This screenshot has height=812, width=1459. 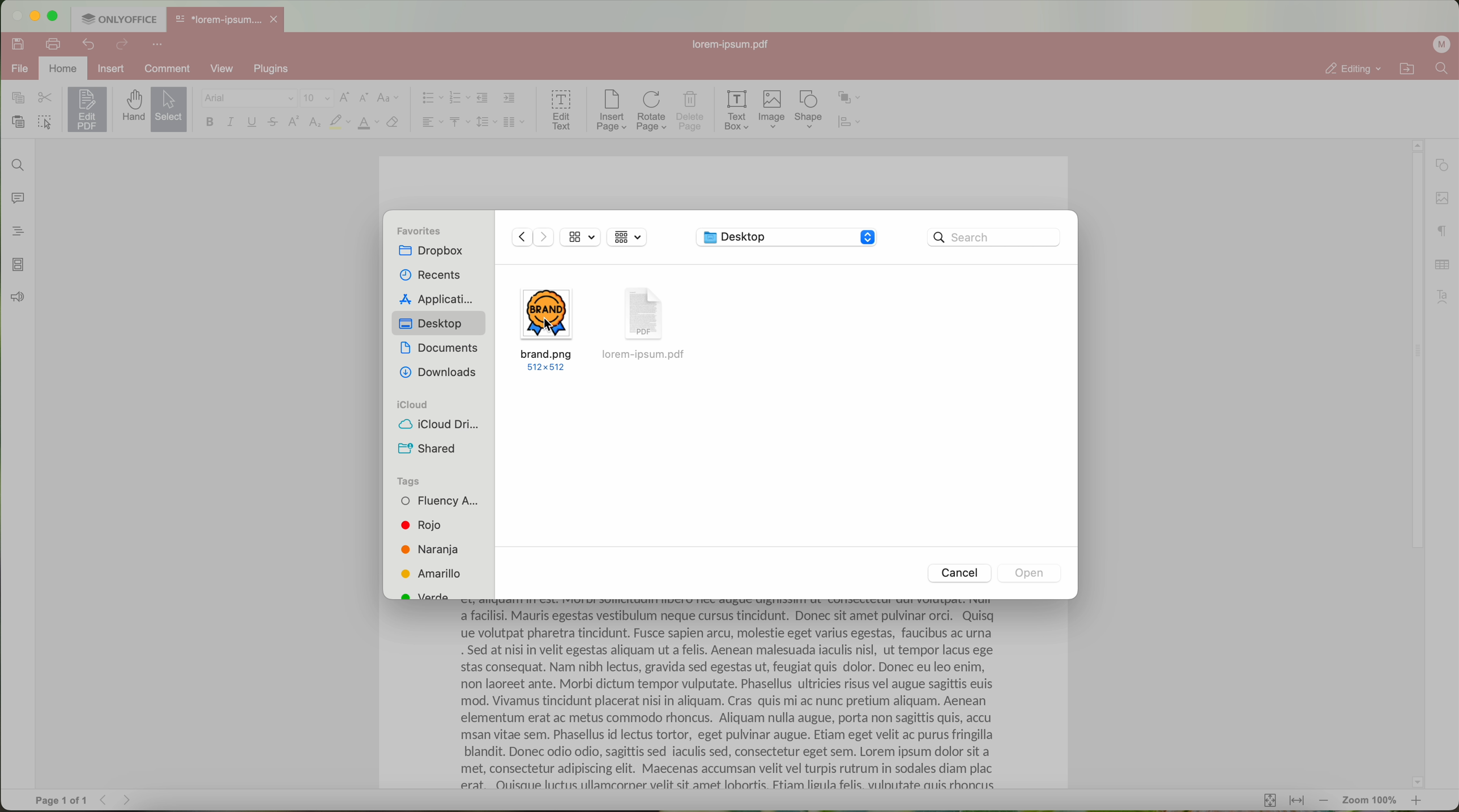 I want to click on hand, so click(x=132, y=106).